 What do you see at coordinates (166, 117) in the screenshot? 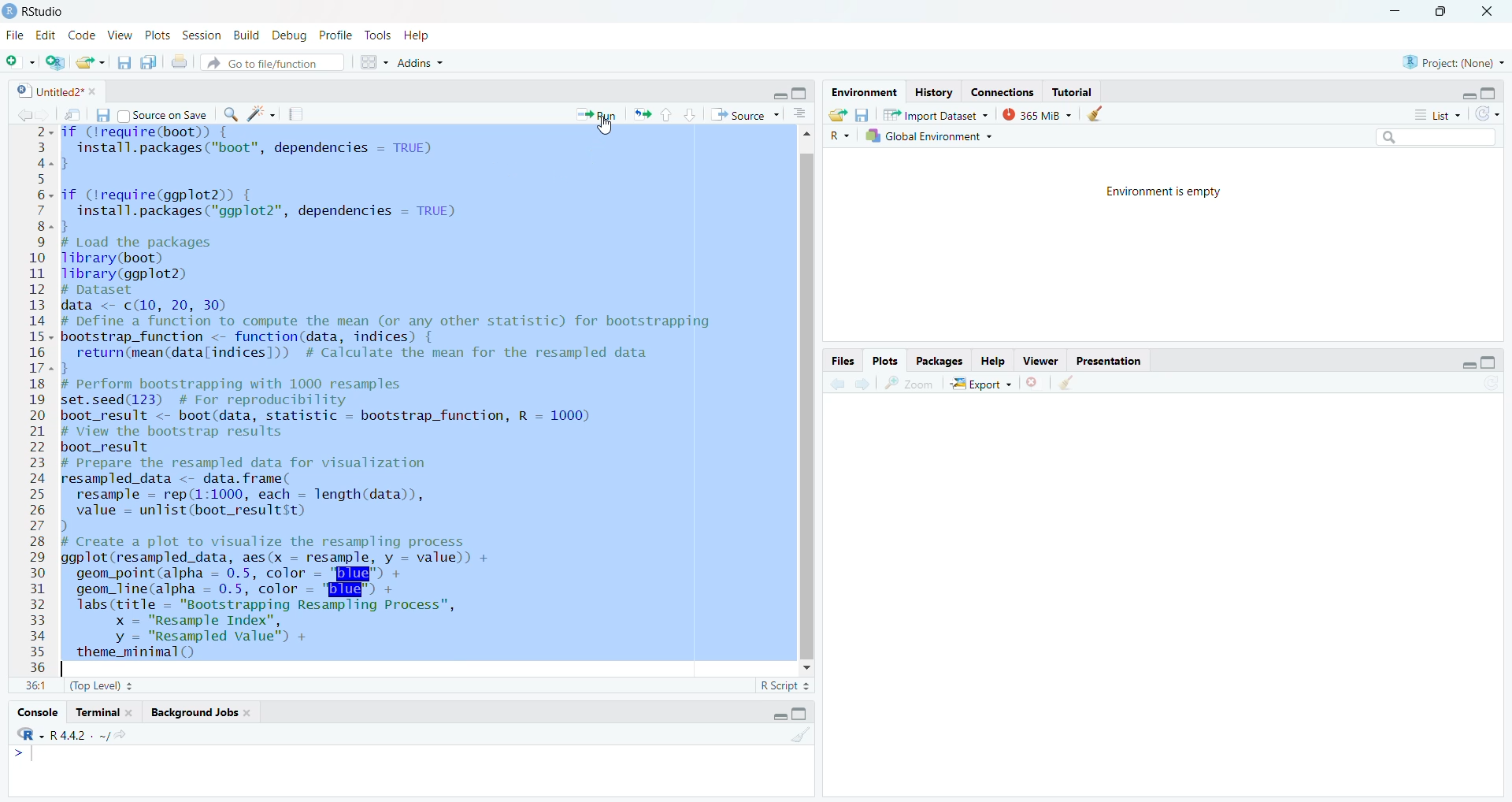
I see `source on save` at bounding box center [166, 117].